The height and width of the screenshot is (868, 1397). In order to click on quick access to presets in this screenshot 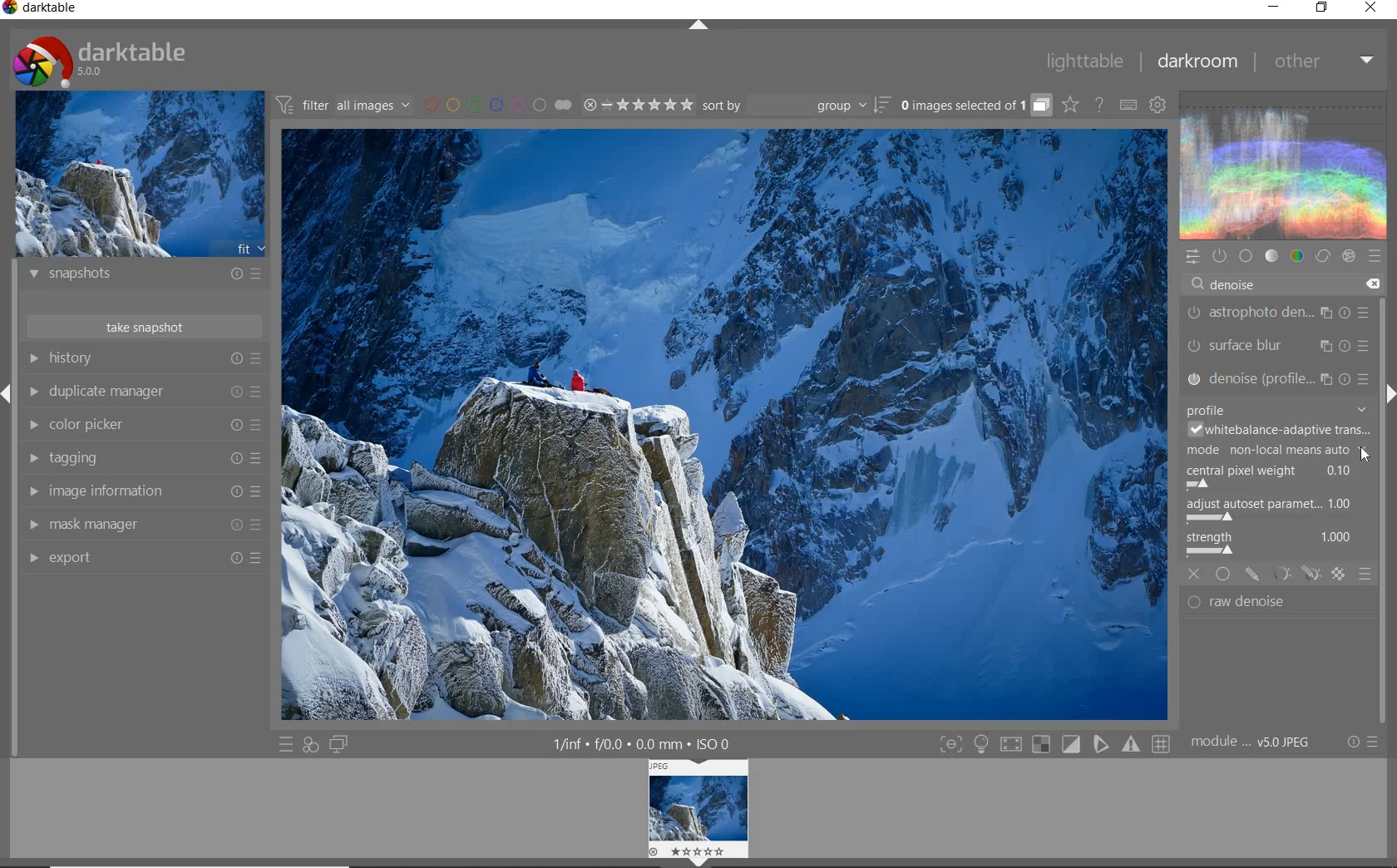, I will do `click(286, 745)`.